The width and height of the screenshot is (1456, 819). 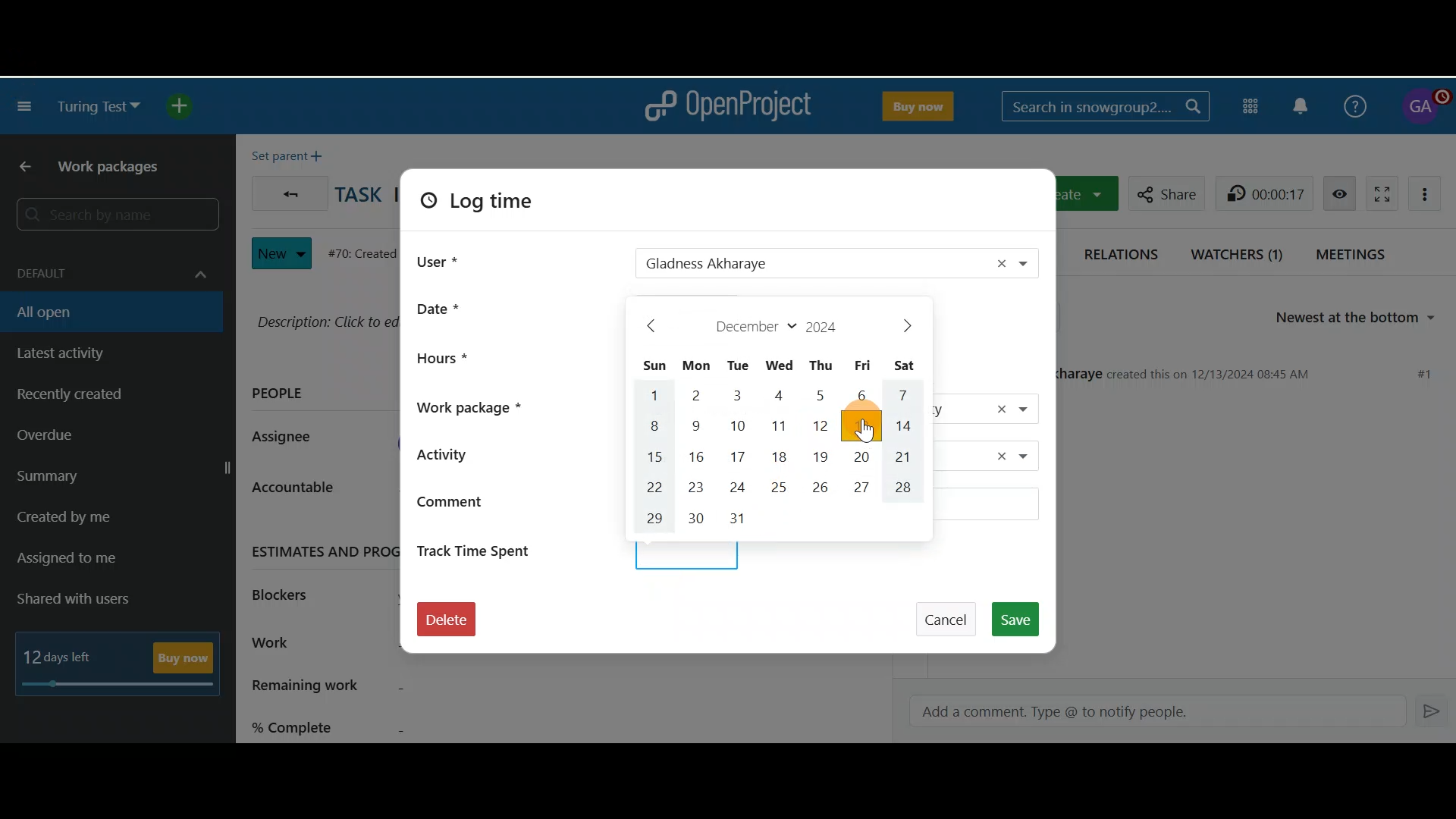 What do you see at coordinates (290, 592) in the screenshot?
I see `Blockers` at bounding box center [290, 592].